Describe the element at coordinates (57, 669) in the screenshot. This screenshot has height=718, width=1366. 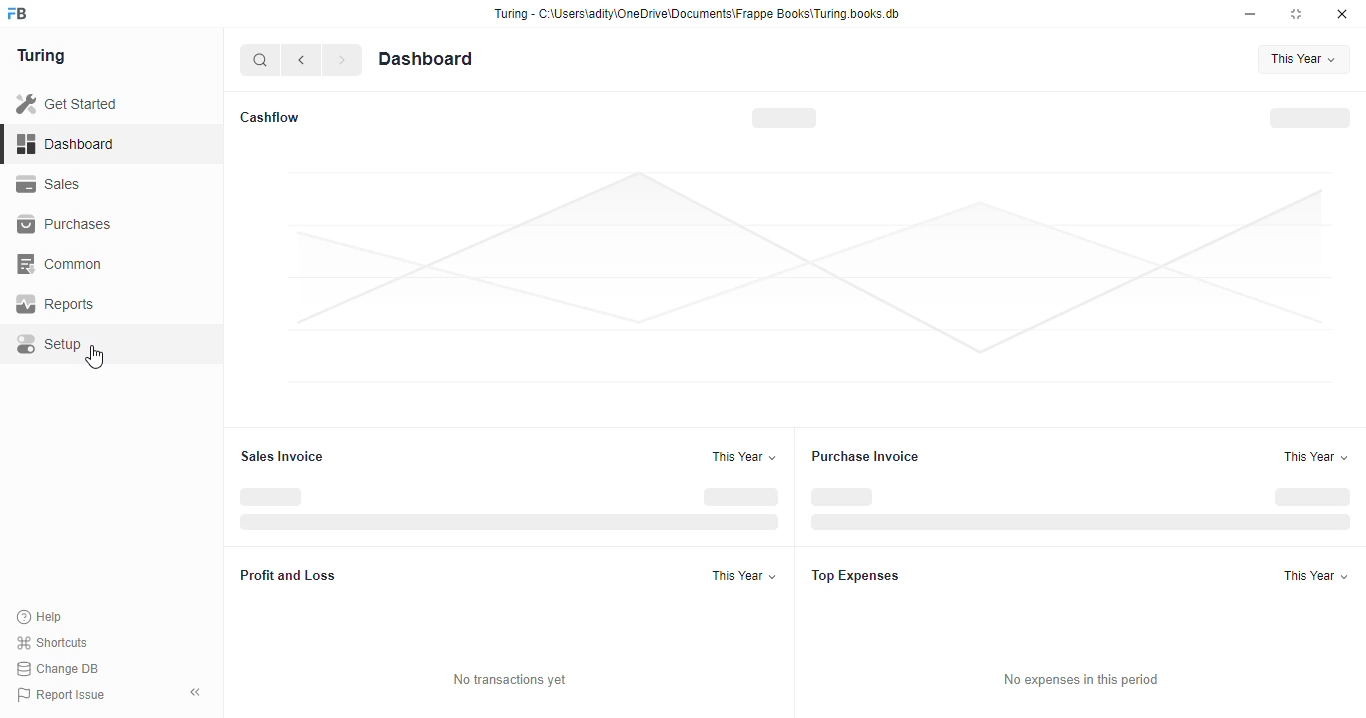
I see `Change DB` at that location.